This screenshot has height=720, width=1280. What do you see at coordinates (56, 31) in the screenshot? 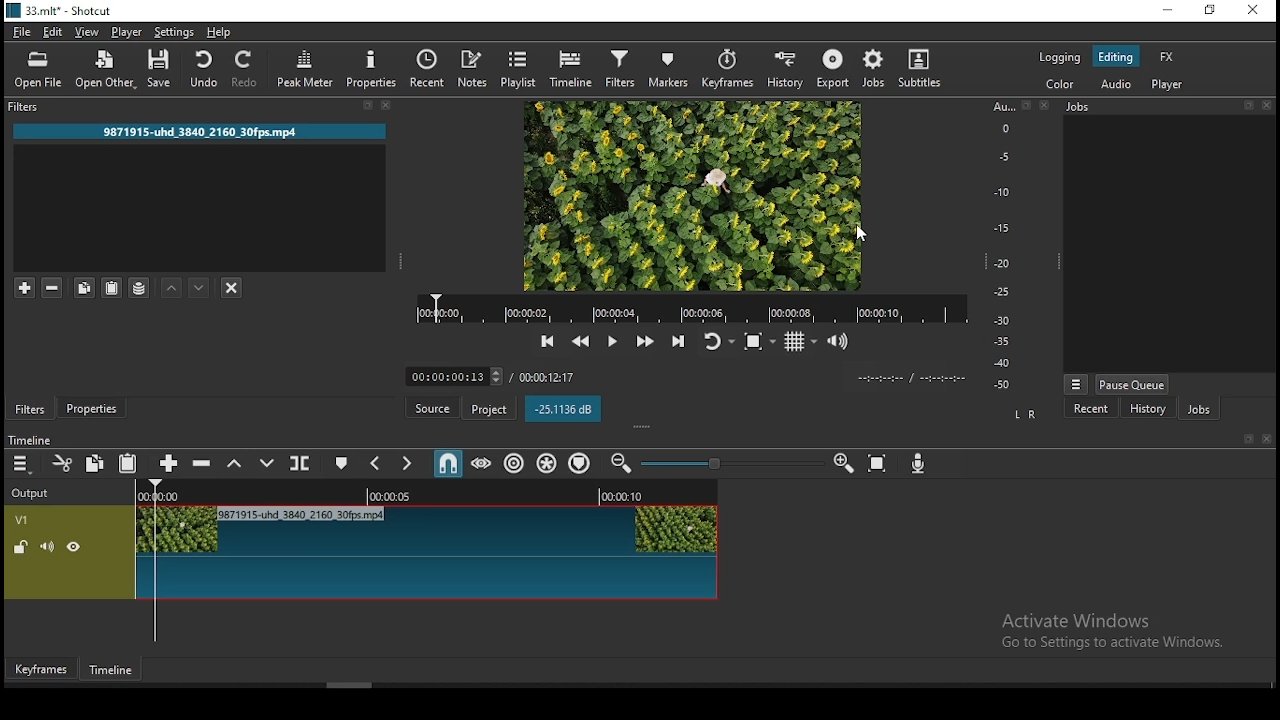
I see `edit` at bounding box center [56, 31].